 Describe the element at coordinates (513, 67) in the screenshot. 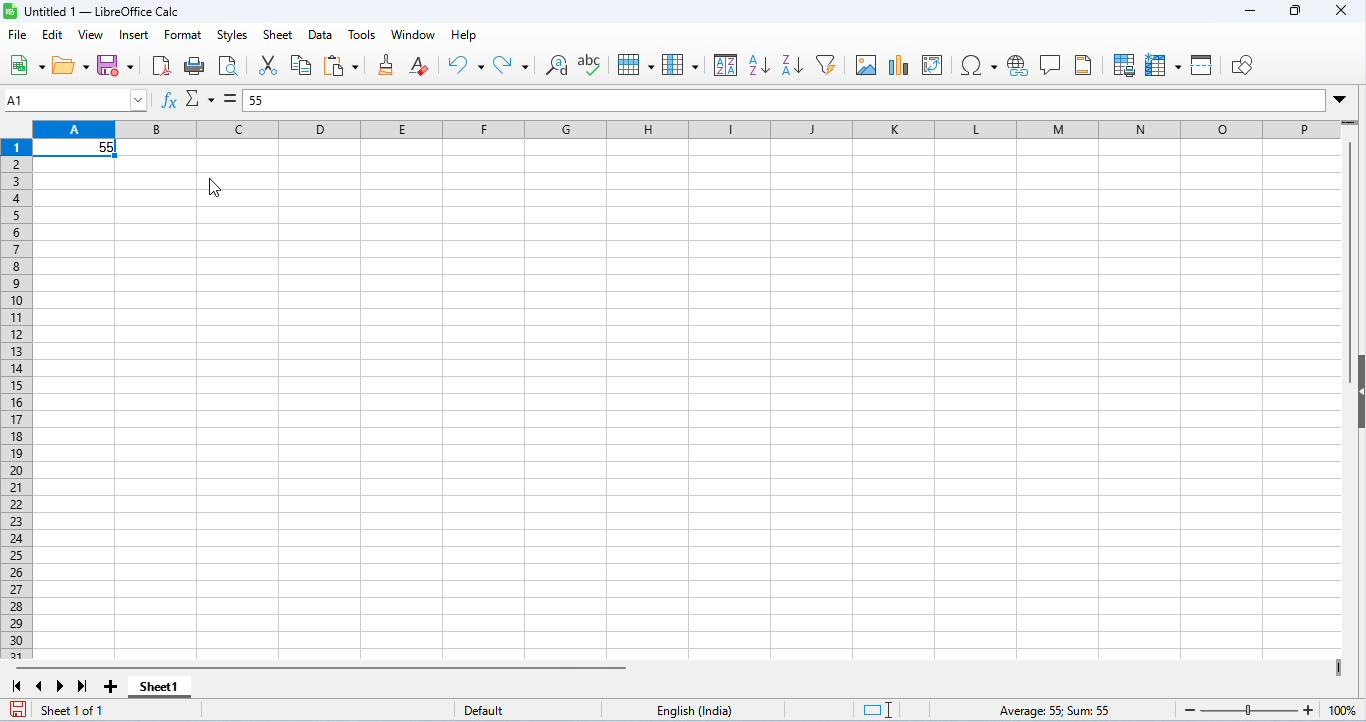

I see `redo` at that location.